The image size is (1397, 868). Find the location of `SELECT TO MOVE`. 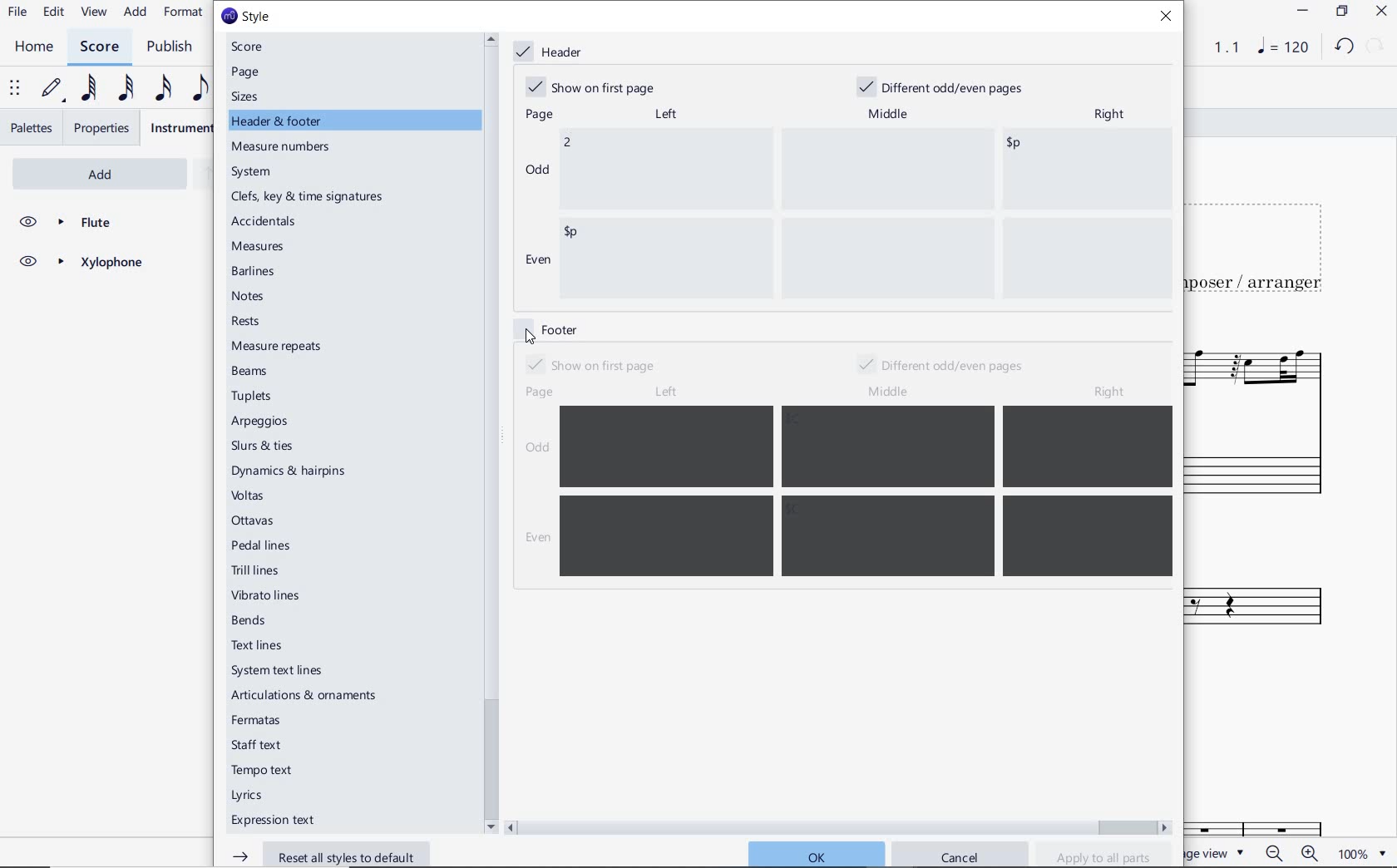

SELECT TO MOVE is located at coordinates (15, 89).